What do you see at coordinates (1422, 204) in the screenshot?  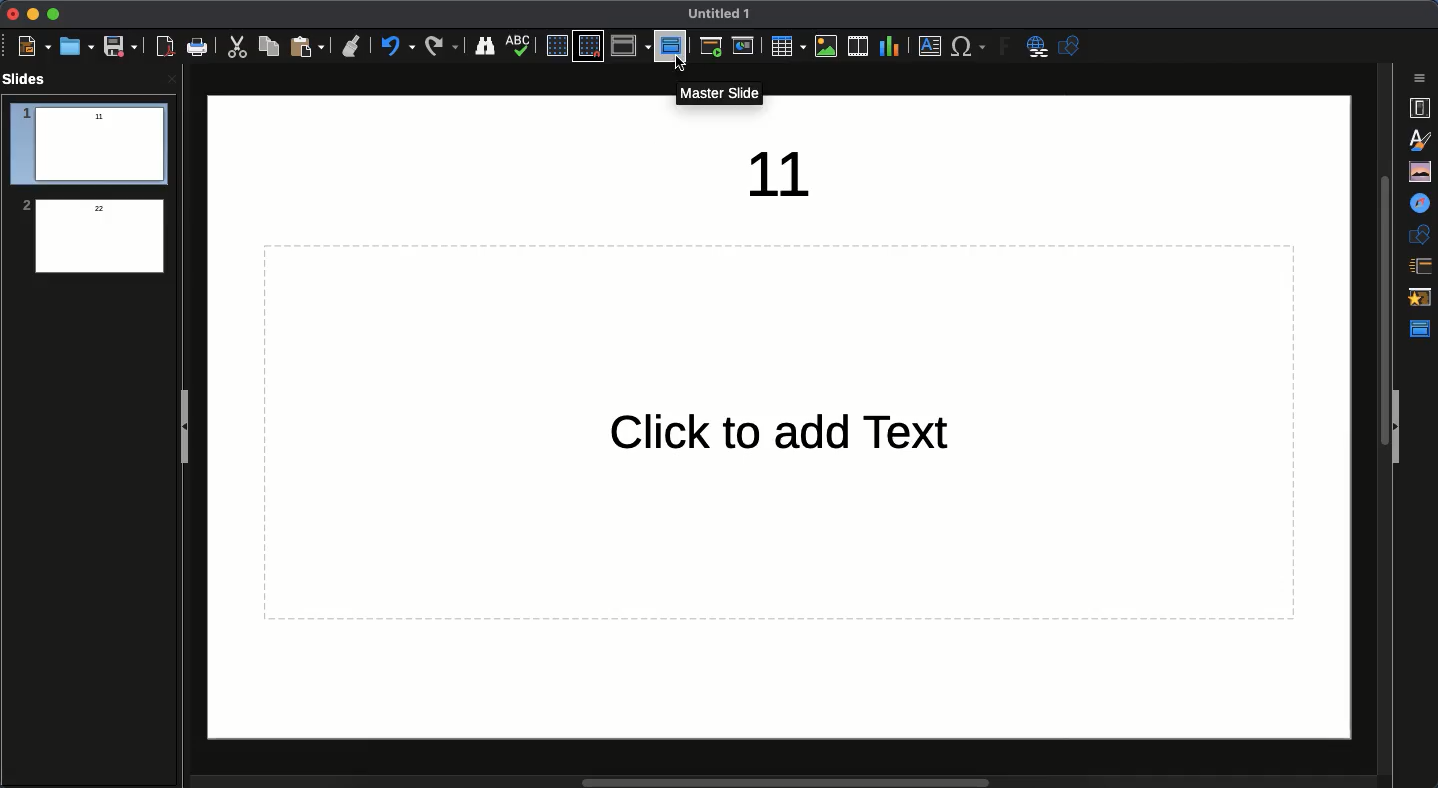 I see `Navigator` at bounding box center [1422, 204].